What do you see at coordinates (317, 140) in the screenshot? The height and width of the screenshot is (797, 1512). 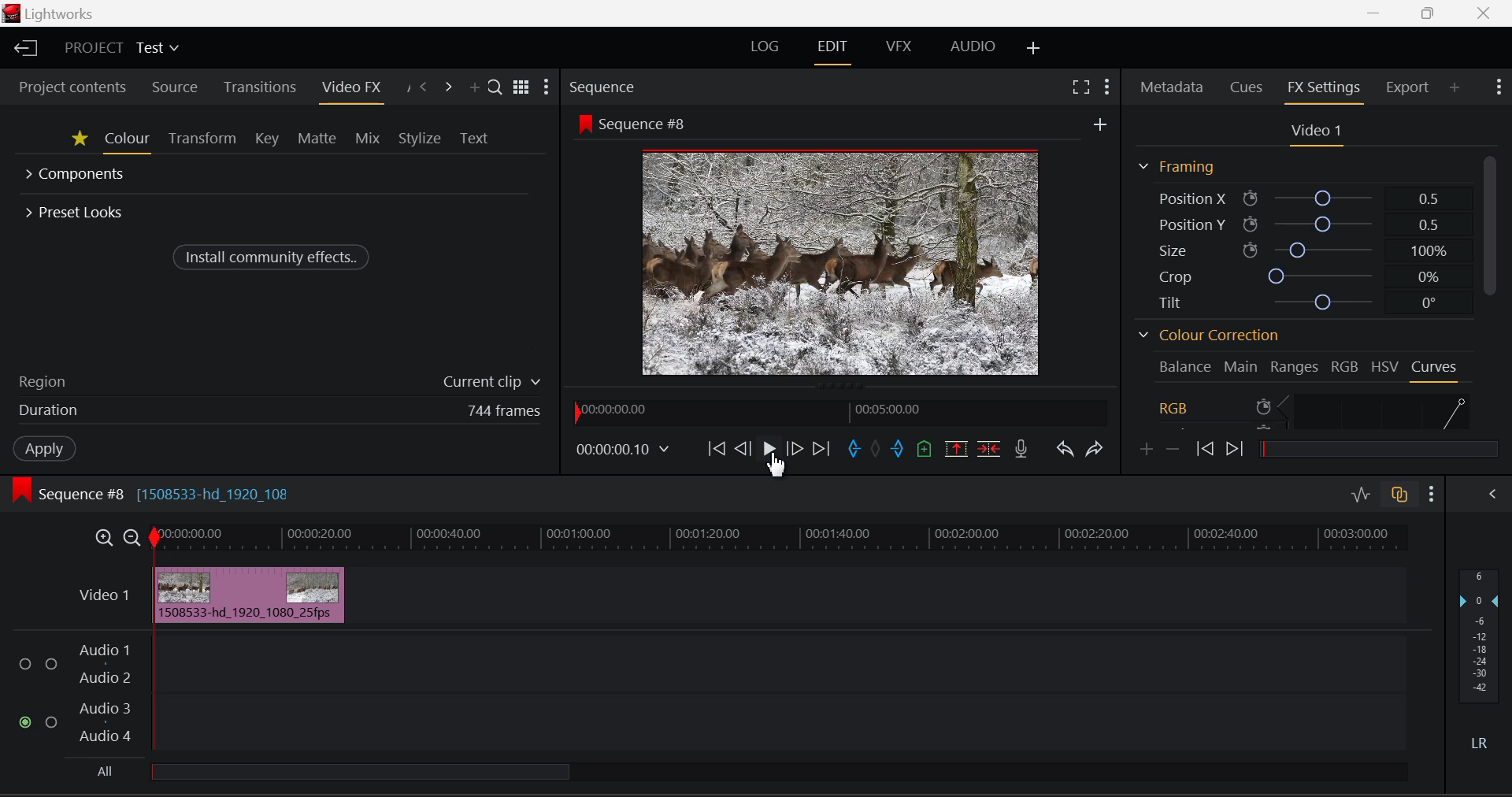 I see `Matte` at bounding box center [317, 140].